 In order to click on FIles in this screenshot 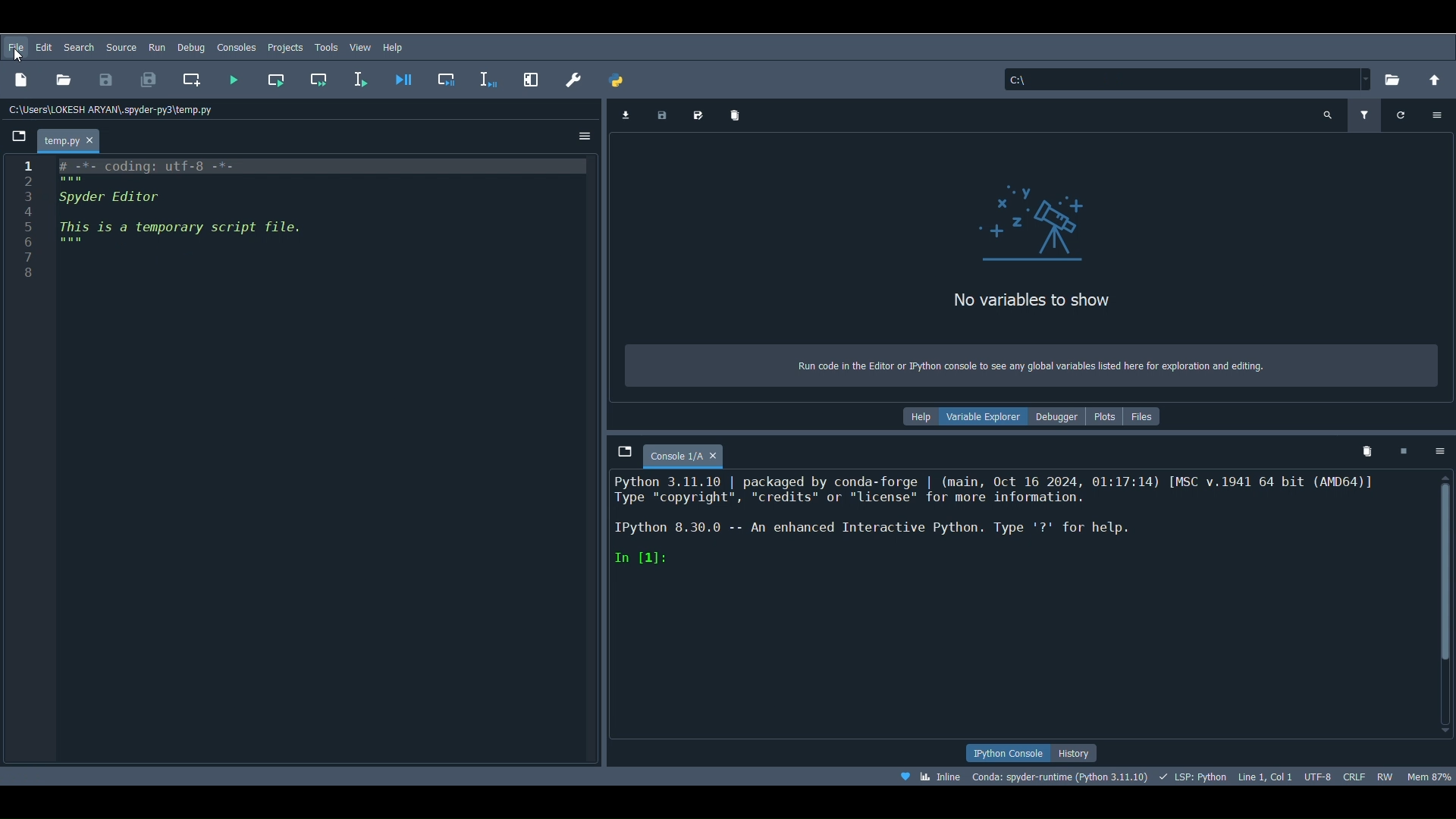, I will do `click(1150, 415)`.